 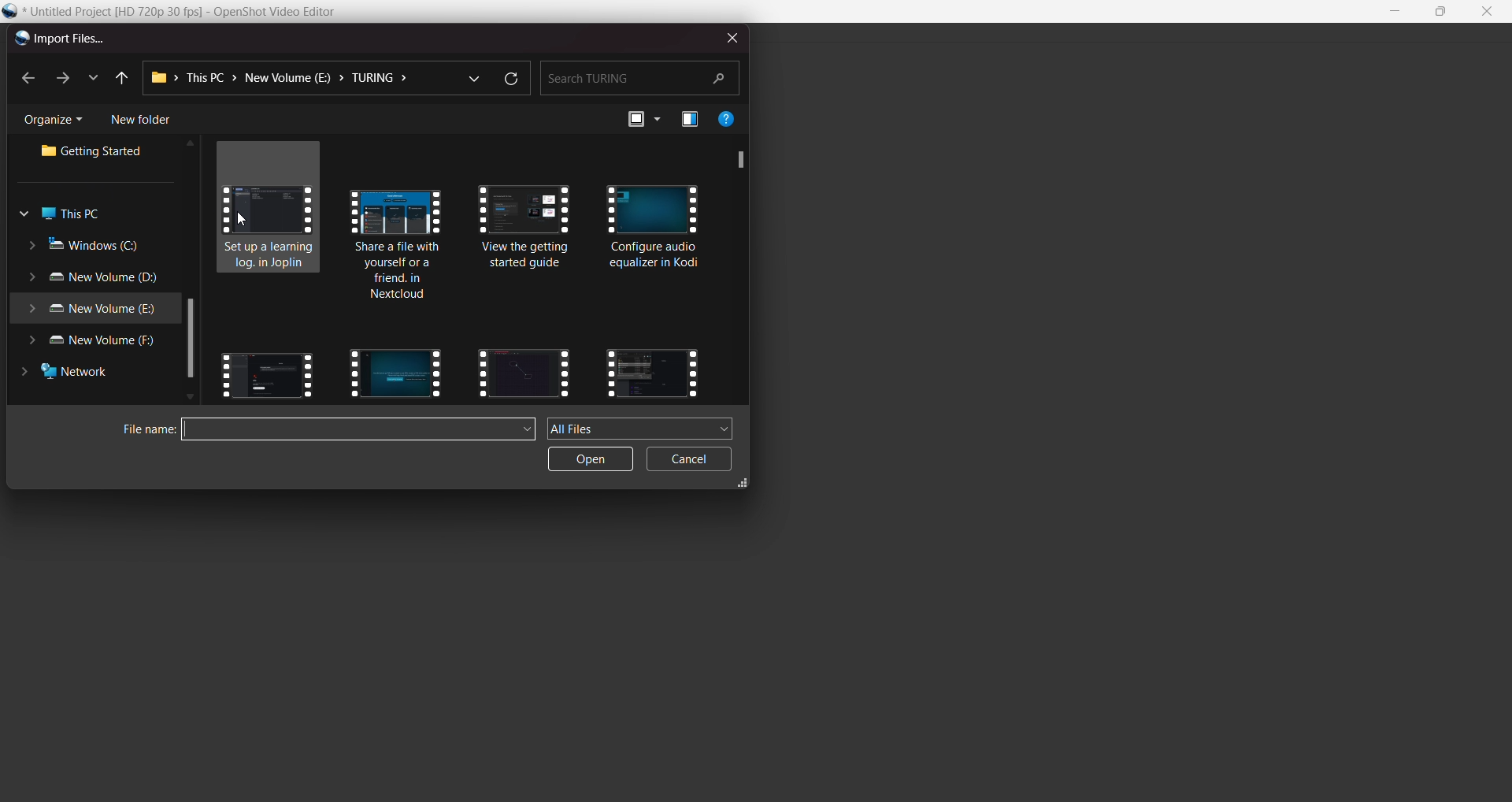 What do you see at coordinates (58, 39) in the screenshot?
I see `import files` at bounding box center [58, 39].